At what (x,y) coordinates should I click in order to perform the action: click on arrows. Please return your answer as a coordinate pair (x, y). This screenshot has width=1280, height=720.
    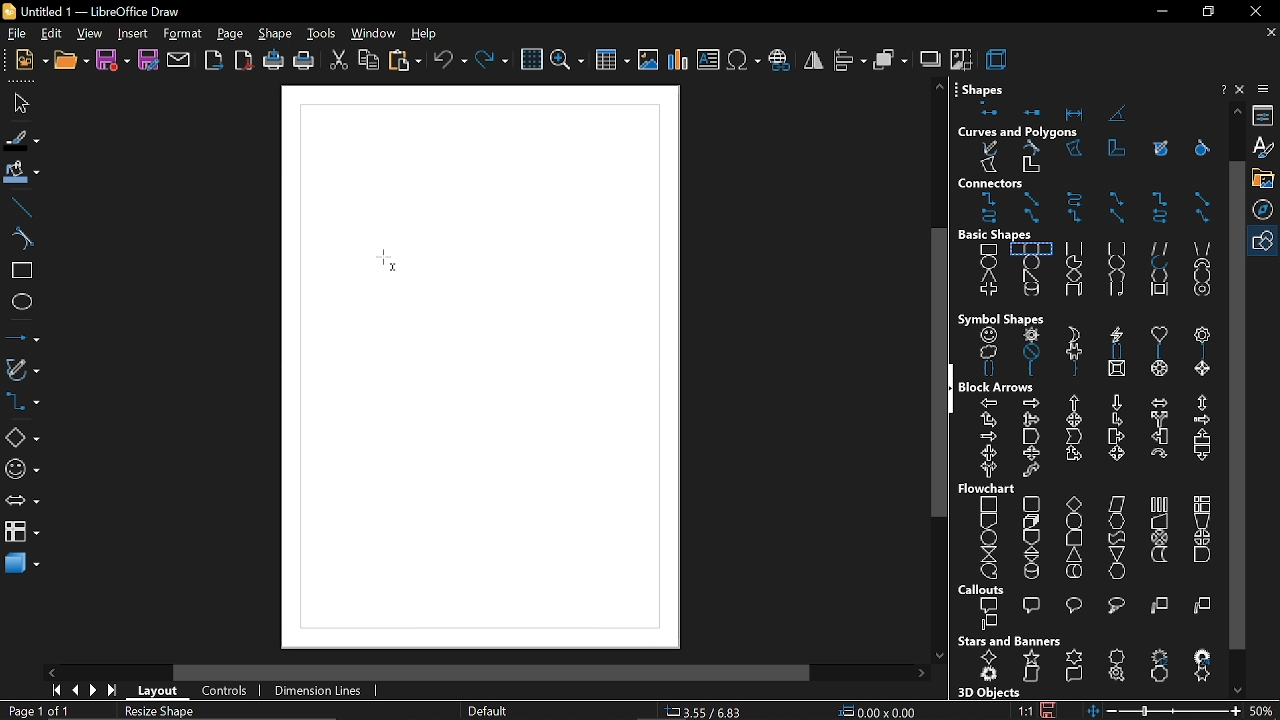
    Looking at the image, I should click on (21, 503).